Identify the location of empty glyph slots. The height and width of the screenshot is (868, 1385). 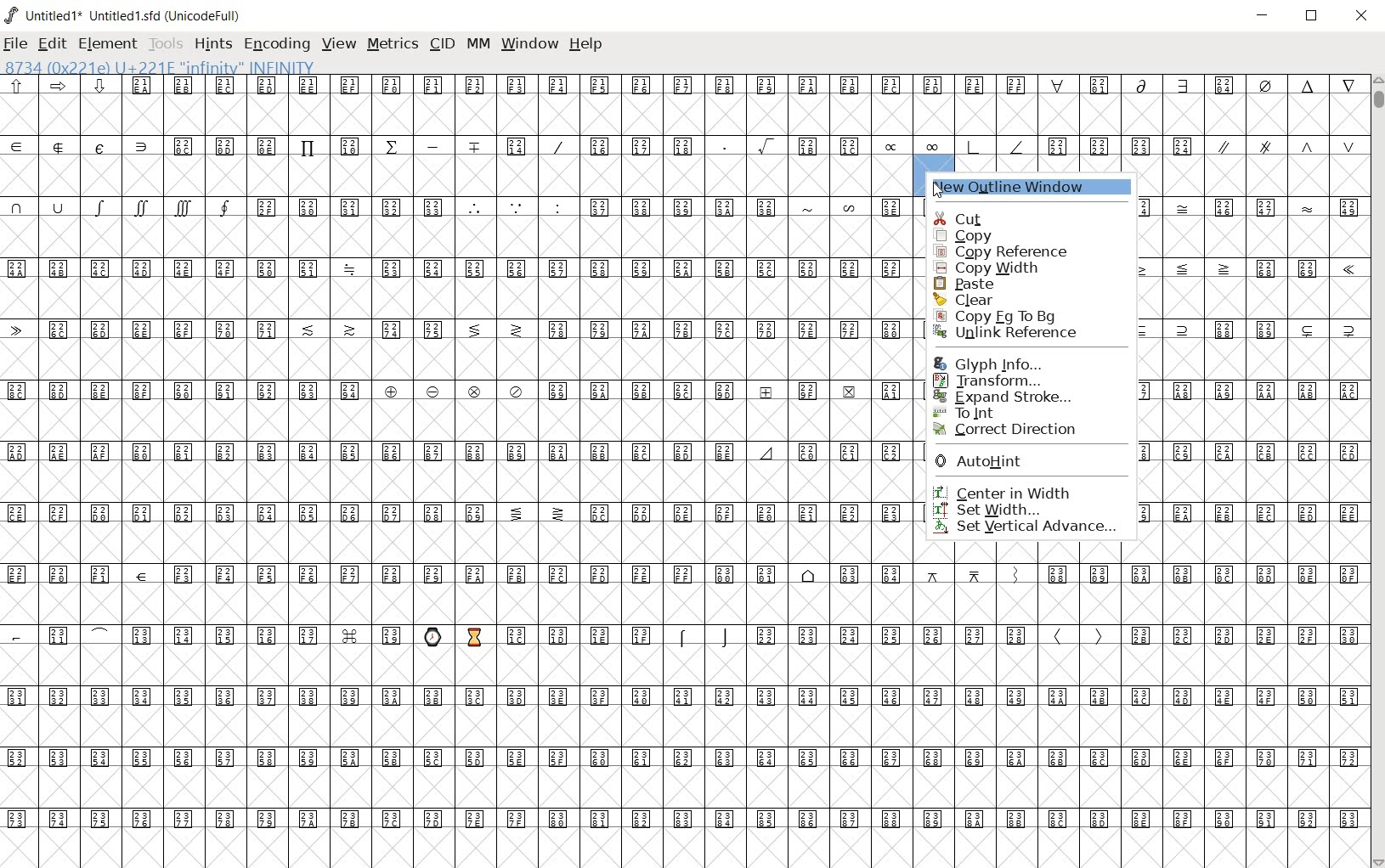
(1252, 176).